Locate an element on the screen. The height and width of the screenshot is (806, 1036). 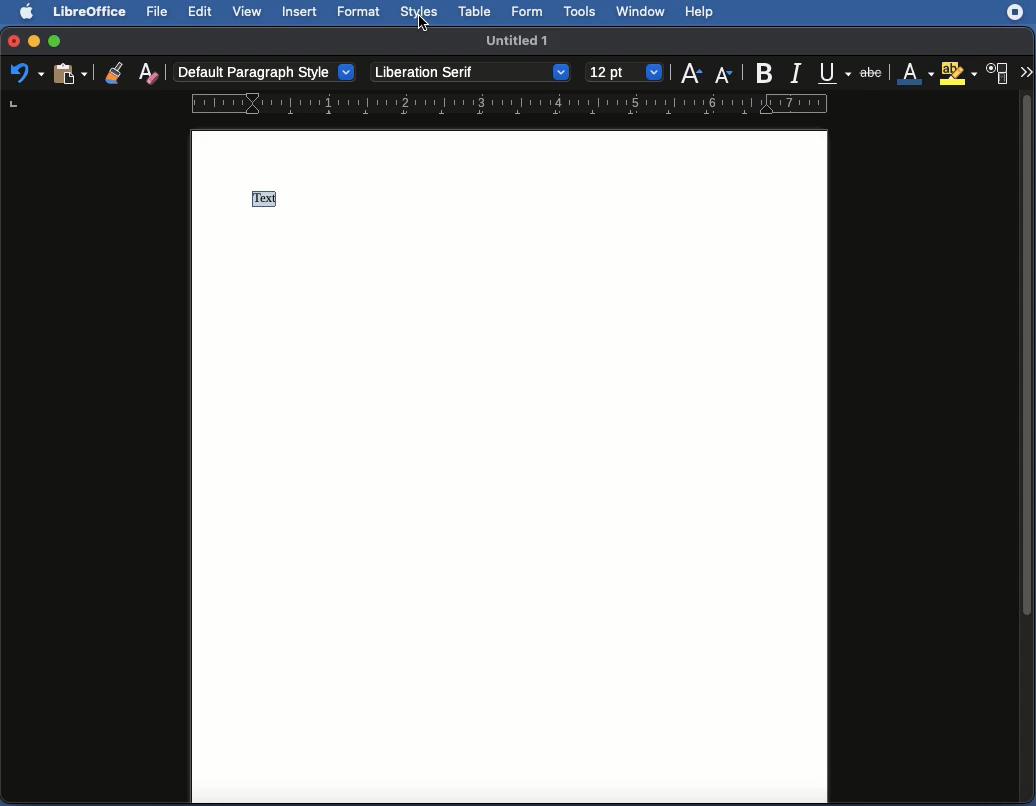
Name is located at coordinates (519, 41).